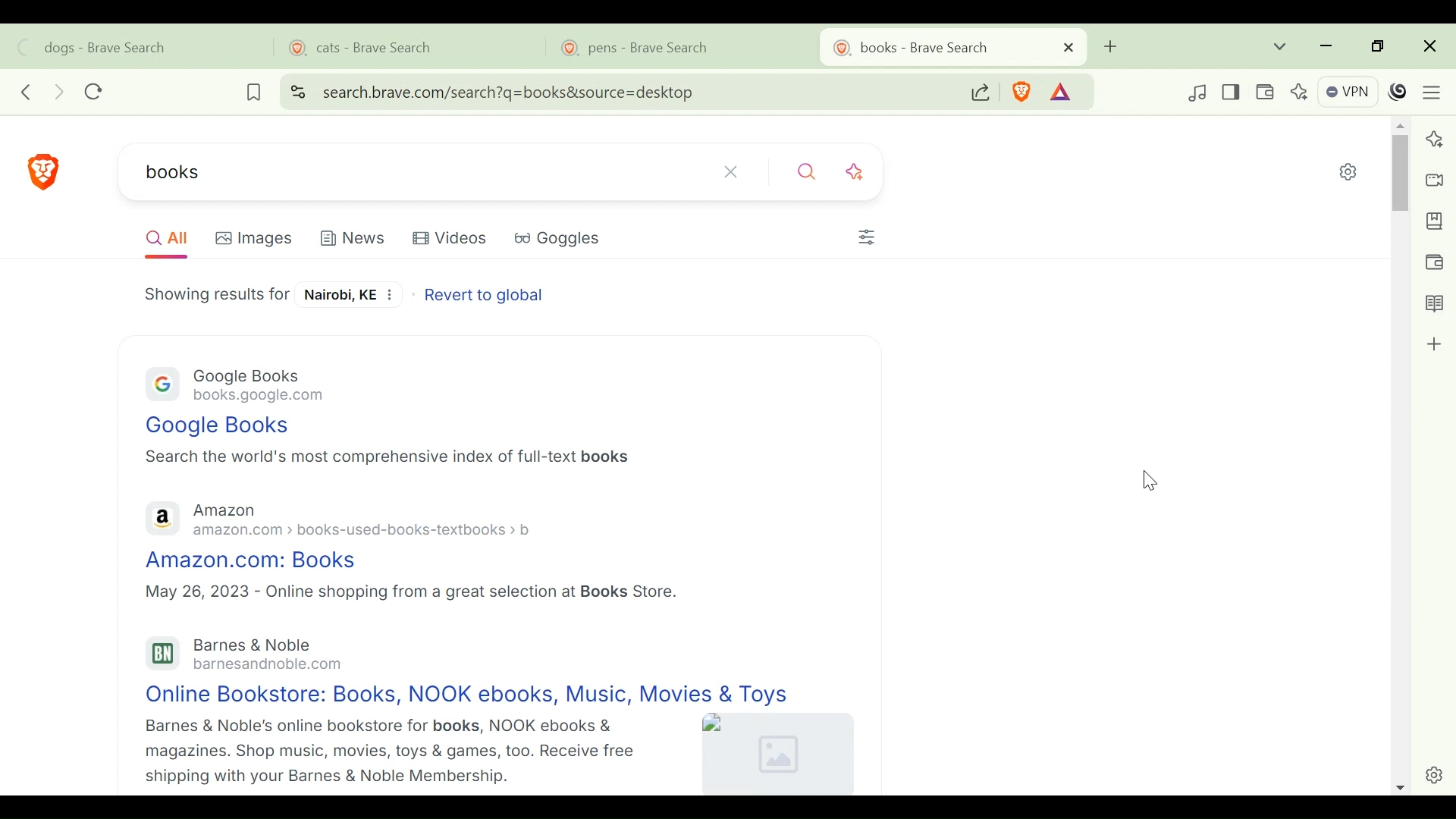  Describe the element at coordinates (377, 753) in the screenshot. I see `Barnes & Noble's online bookstore for books, NOOK ebooks &
magazines. Shop music, movies, toys & games, too. Receive free
shipping with your Barnes & Noble Membership.` at that location.